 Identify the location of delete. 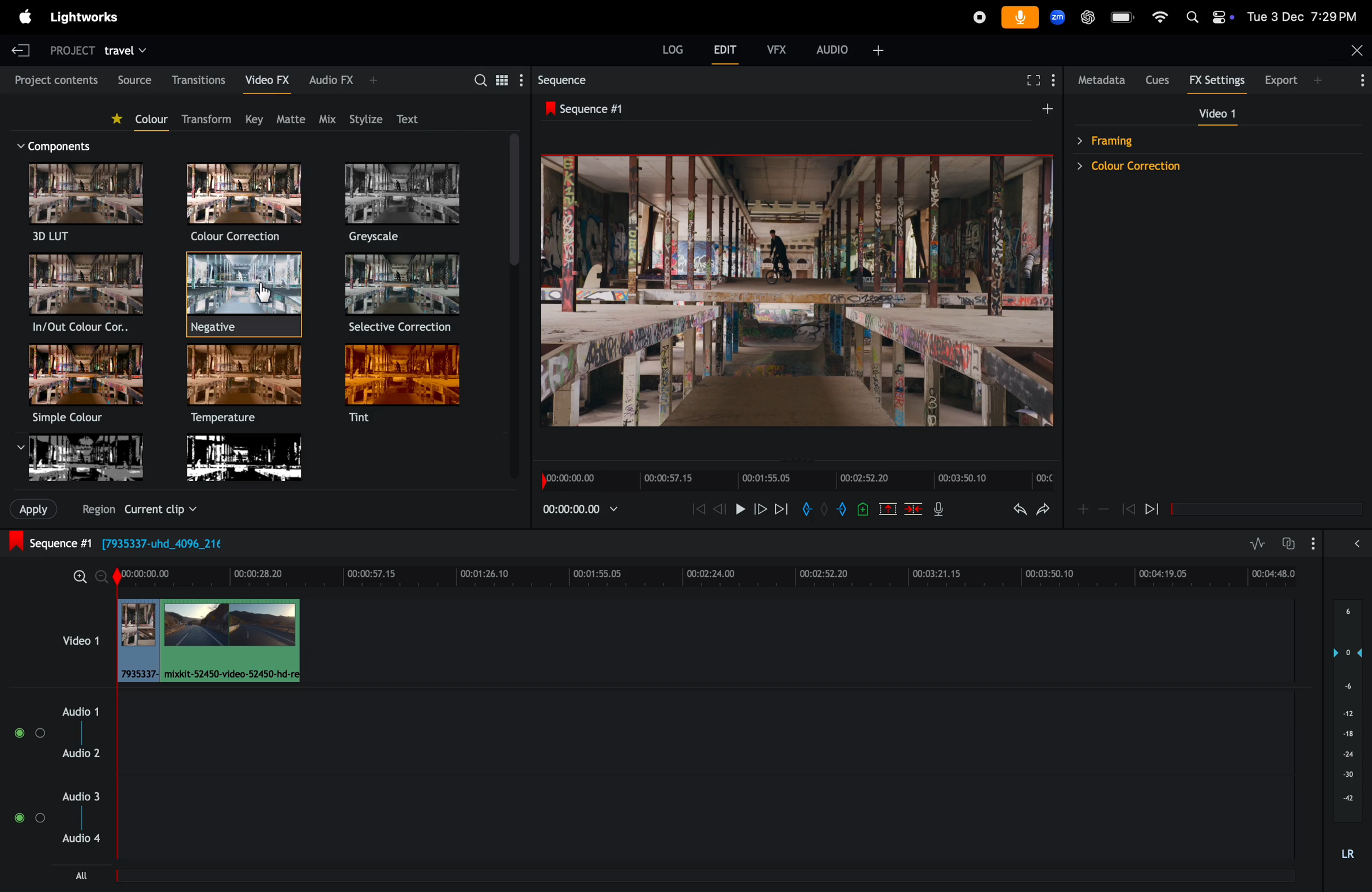
(911, 509).